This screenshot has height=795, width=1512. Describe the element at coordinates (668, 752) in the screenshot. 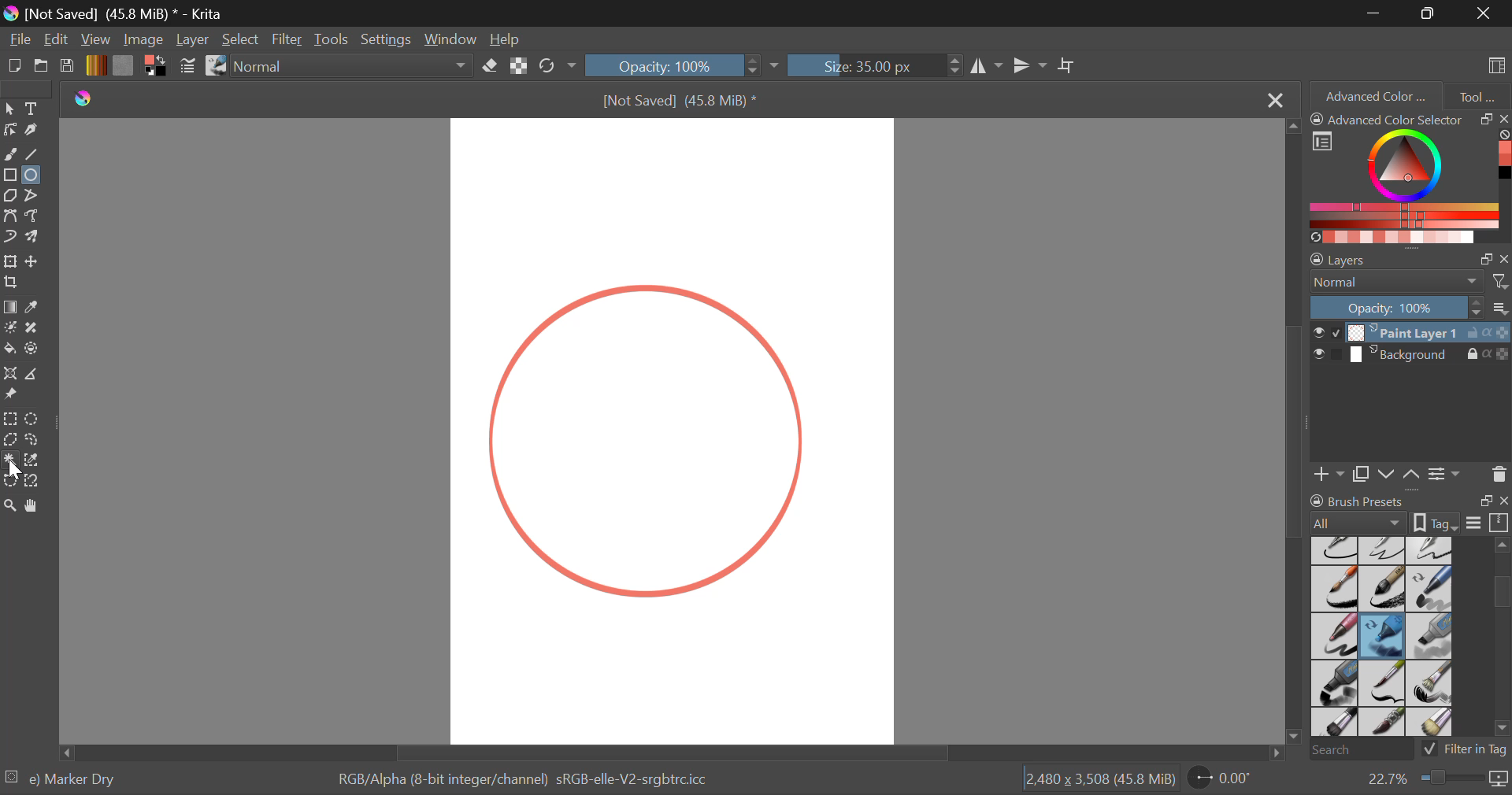

I see `Scroll Bar` at that location.